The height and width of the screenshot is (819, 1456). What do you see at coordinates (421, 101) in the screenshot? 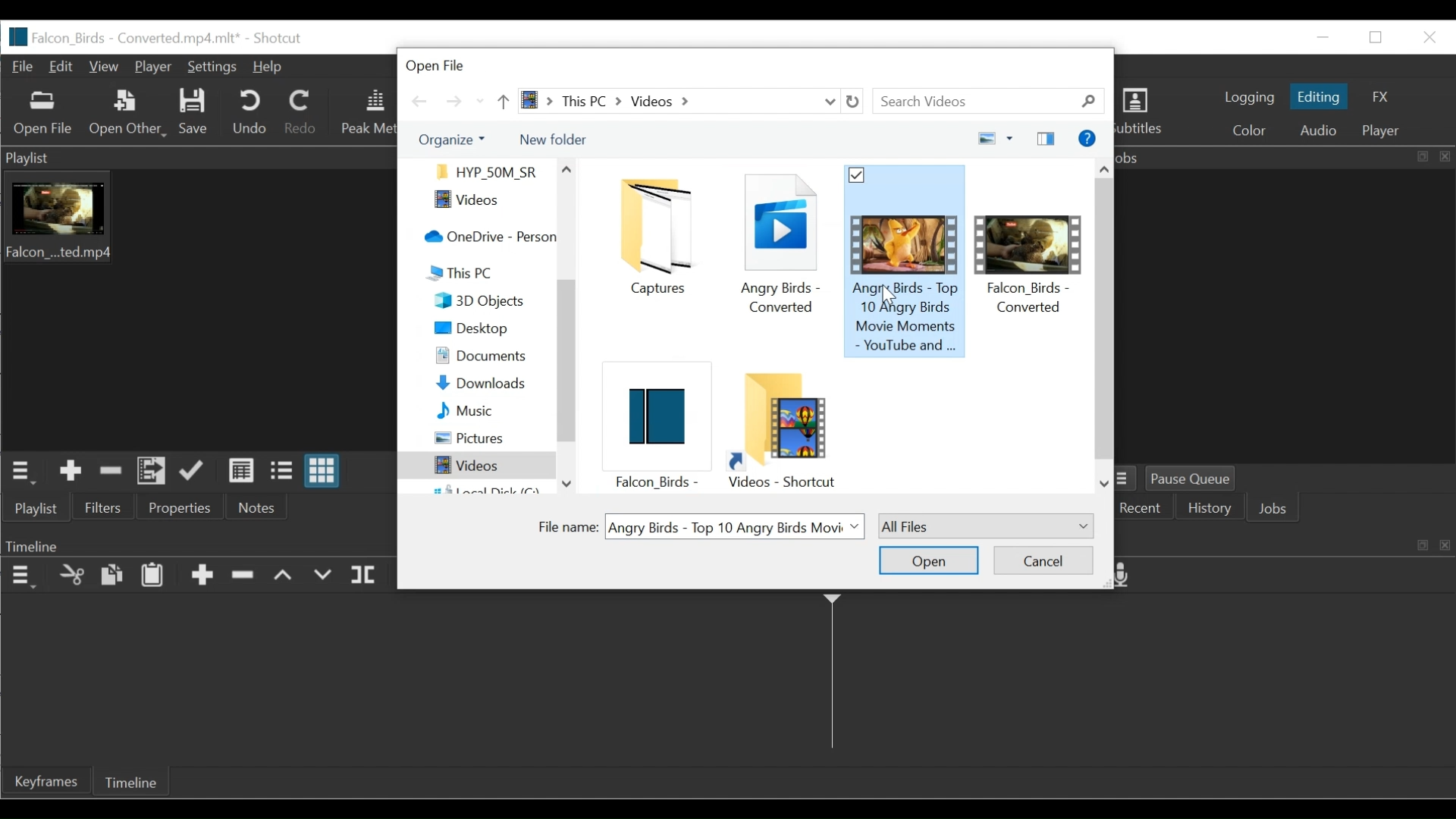
I see `Go back` at bounding box center [421, 101].